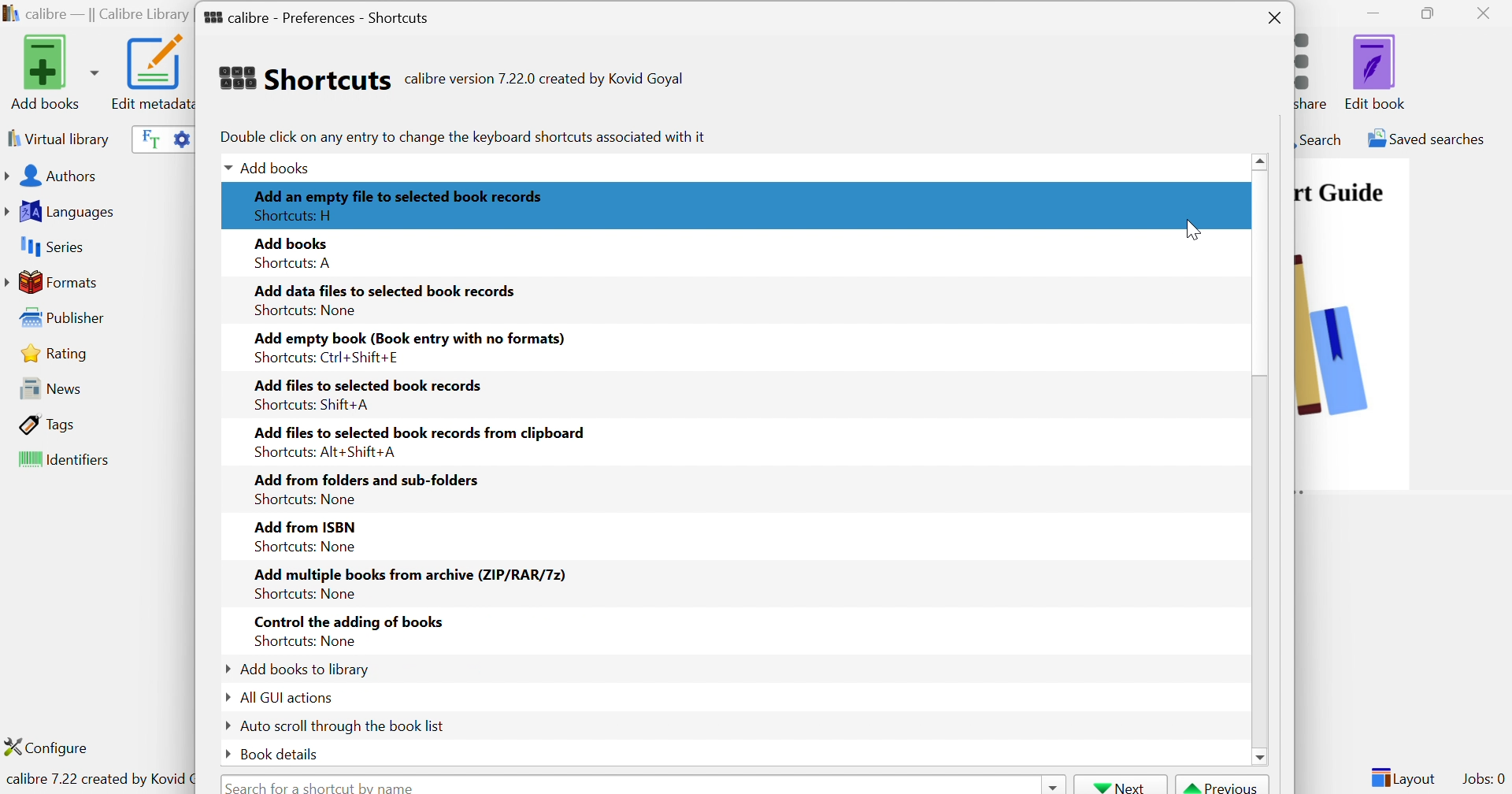  What do you see at coordinates (305, 547) in the screenshot?
I see `Shortcuts: None` at bounding box center [305, 547].